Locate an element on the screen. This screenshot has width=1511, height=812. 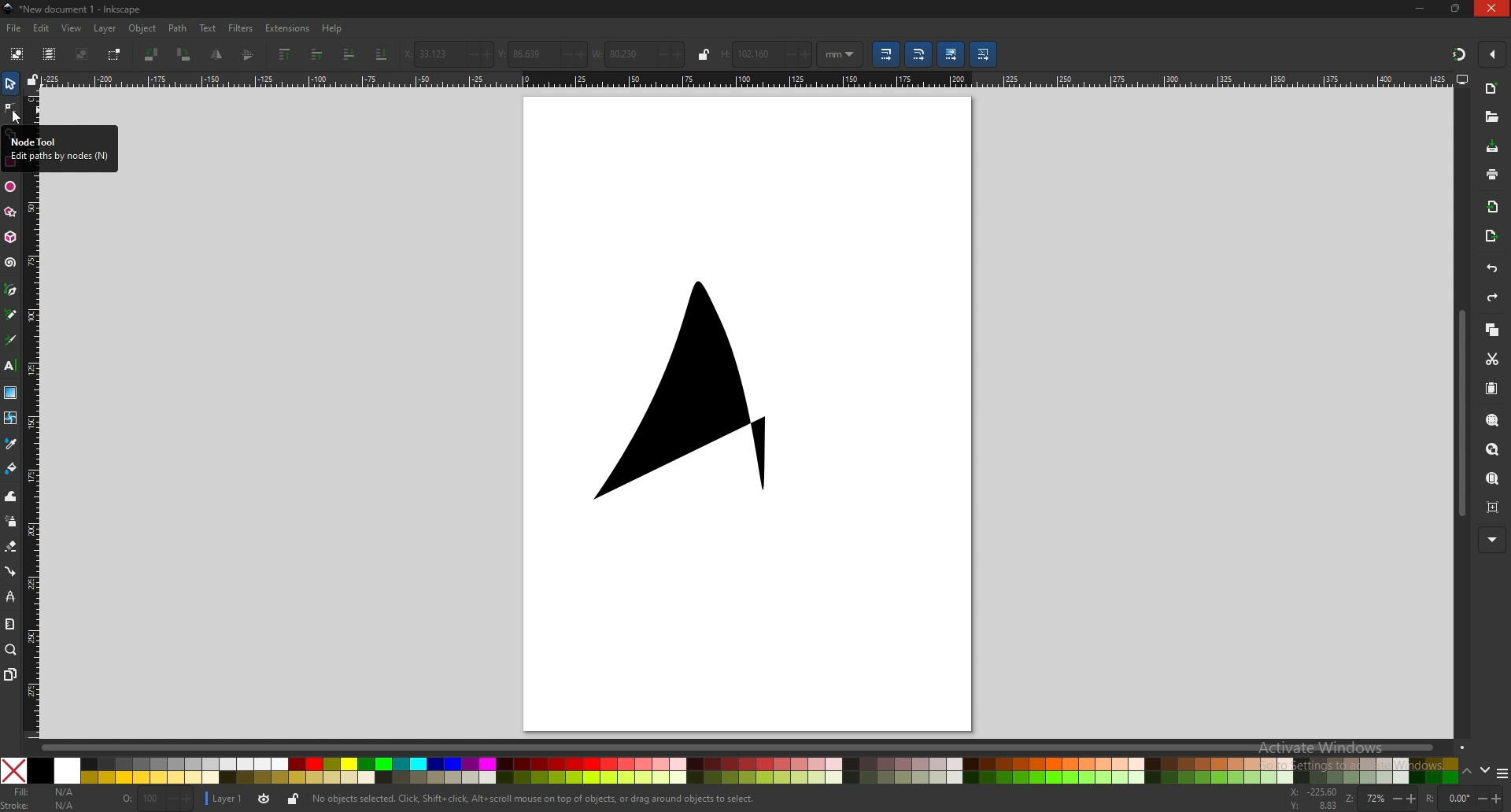
spray is located at coordinates (11, 521).